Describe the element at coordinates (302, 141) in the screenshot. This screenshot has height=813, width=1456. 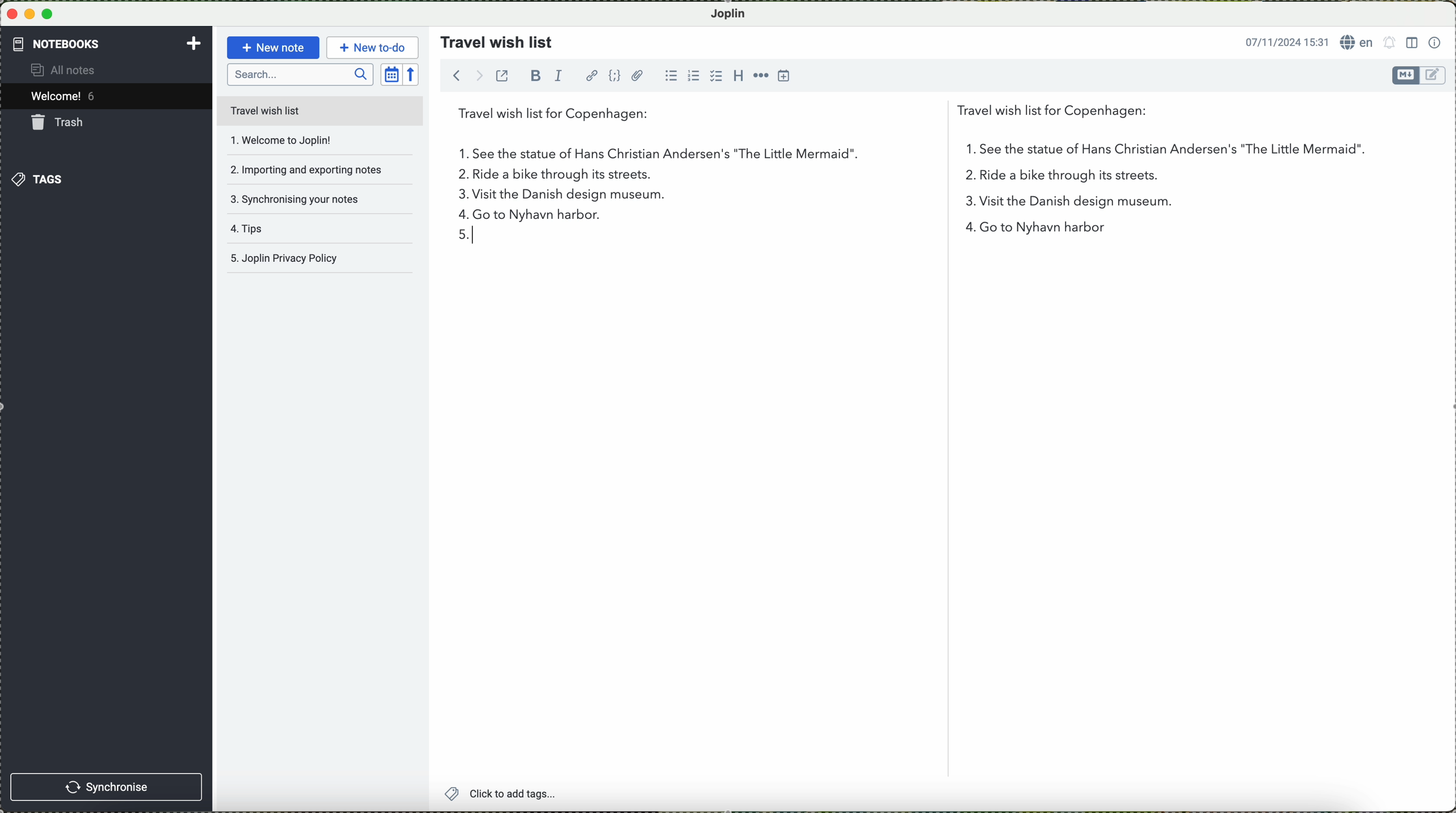
I see `welcome to joplin` at that location.